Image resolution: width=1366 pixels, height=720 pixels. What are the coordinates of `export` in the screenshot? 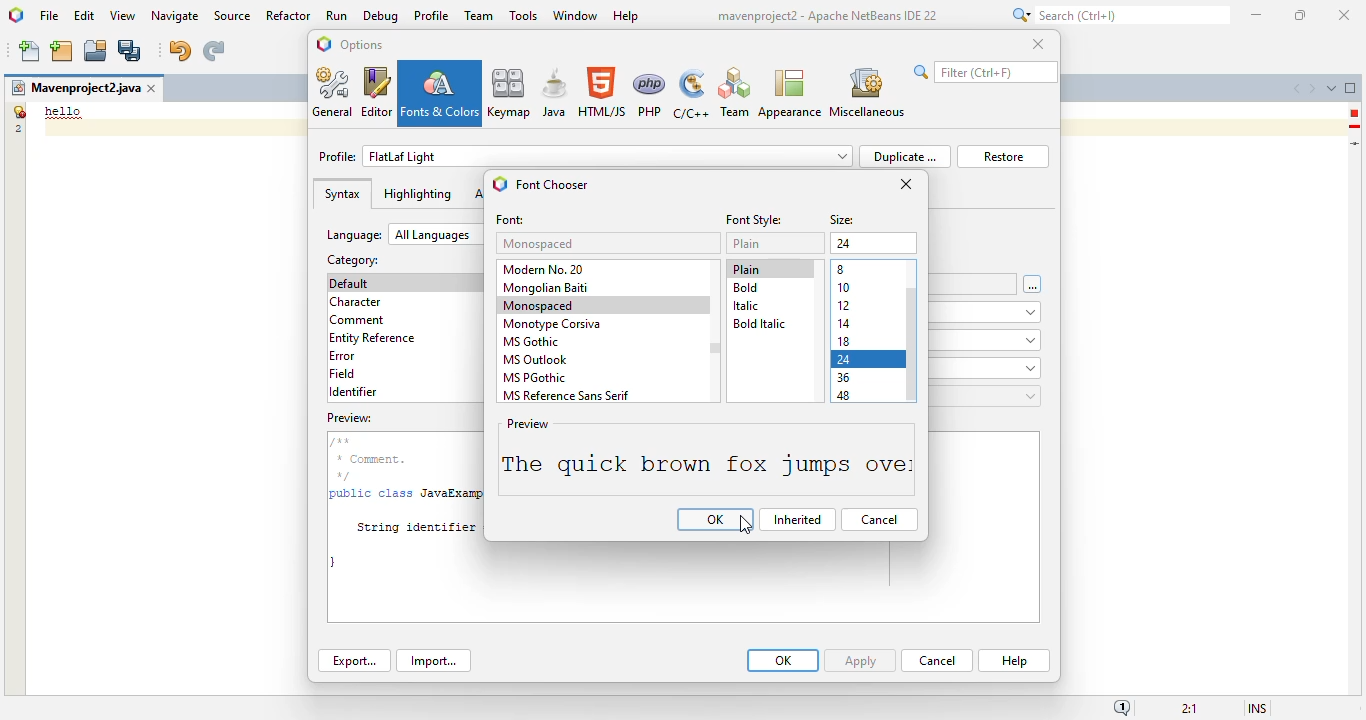 It's located at (355, 660).